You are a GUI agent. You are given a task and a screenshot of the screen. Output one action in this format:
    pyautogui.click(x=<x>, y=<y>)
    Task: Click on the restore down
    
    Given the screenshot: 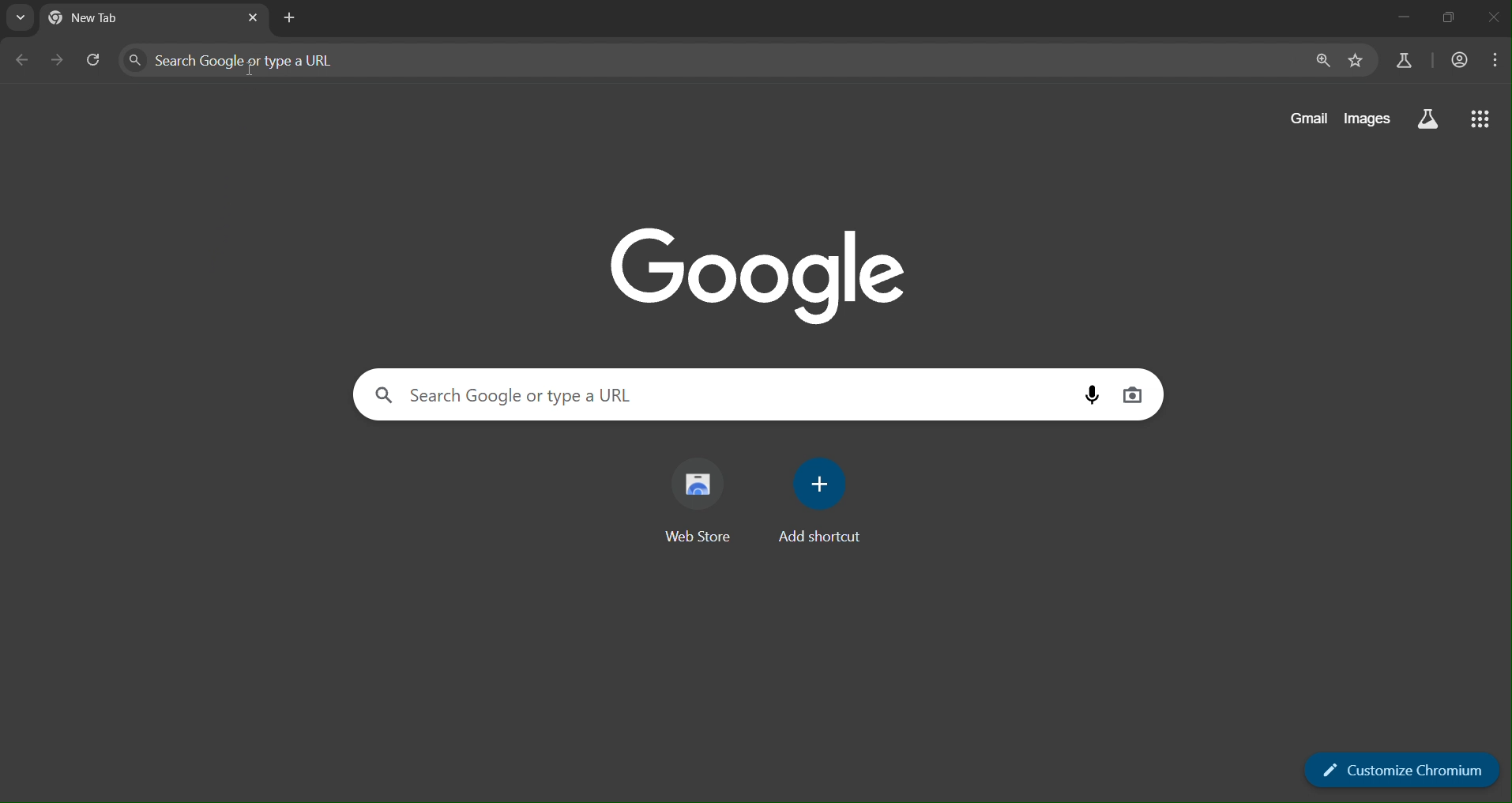 What is the action you would take?
    pyautogui.click(x=1450, y=17)
    